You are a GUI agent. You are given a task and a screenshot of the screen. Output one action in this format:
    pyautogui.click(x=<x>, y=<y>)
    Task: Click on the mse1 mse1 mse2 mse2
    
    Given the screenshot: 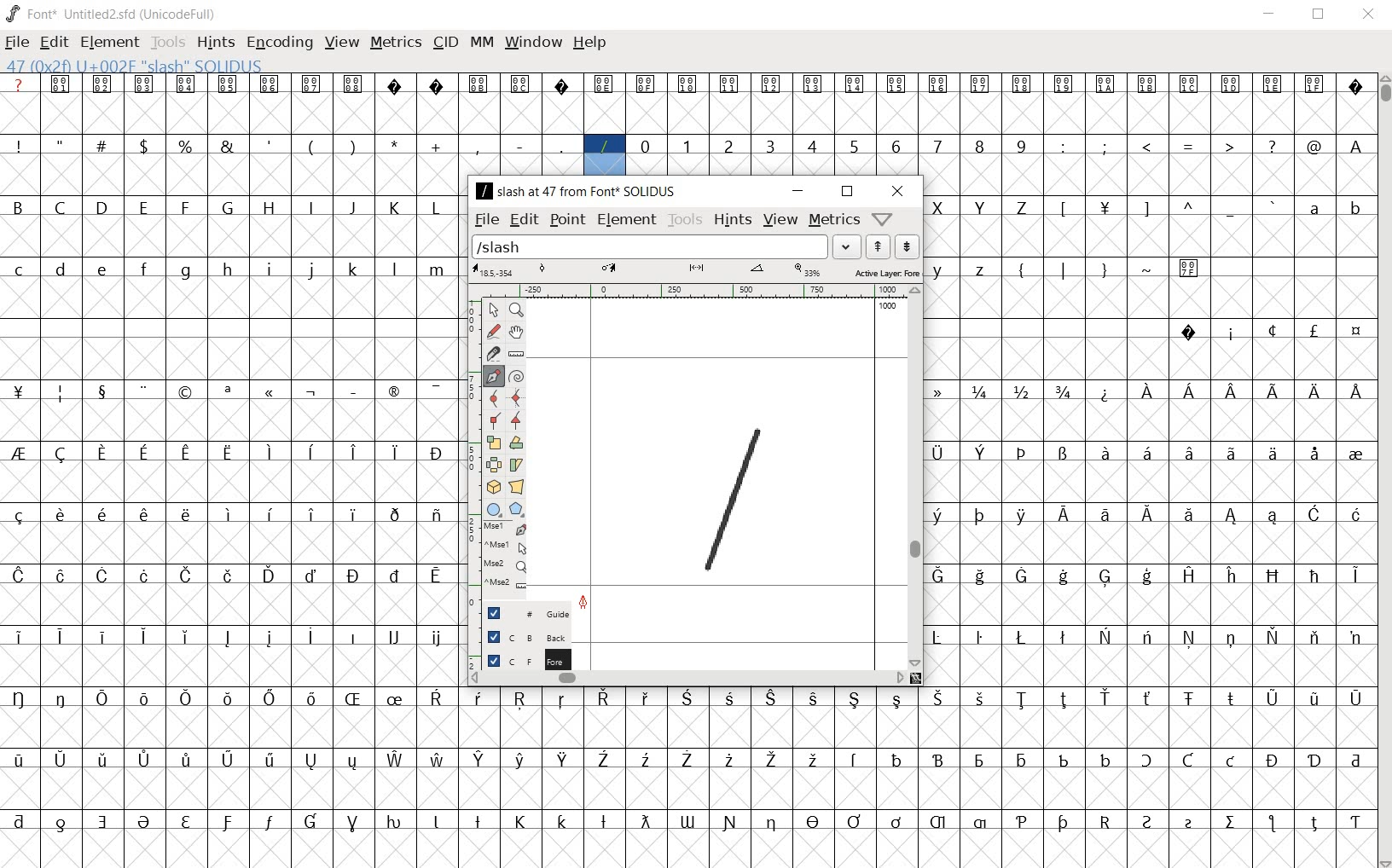 What is the action you would take?
    pyautogui.click(x=507, y=555)
    